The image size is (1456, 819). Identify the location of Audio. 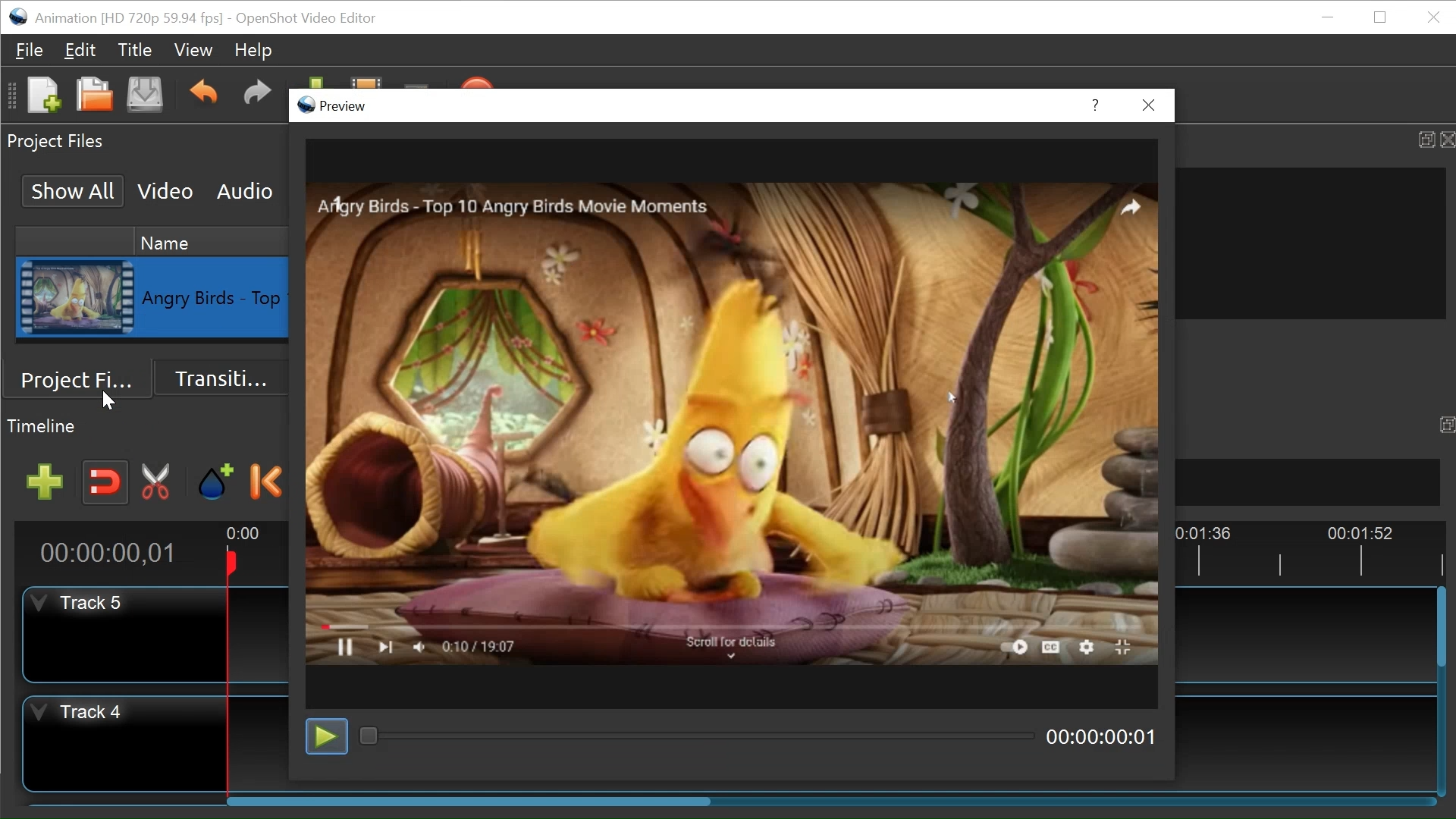
(244, 192).